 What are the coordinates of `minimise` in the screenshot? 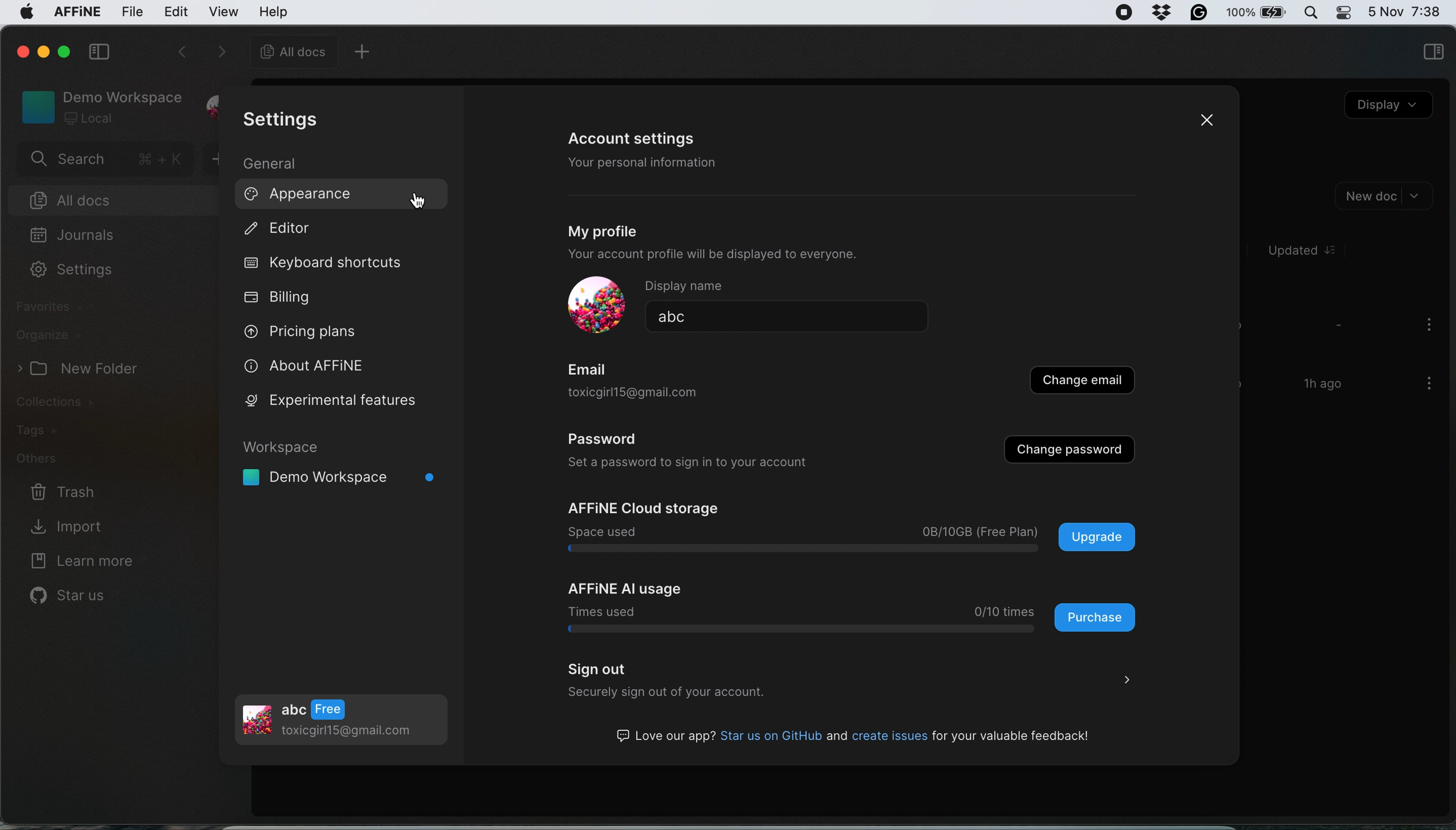 It's located at (43, 49).